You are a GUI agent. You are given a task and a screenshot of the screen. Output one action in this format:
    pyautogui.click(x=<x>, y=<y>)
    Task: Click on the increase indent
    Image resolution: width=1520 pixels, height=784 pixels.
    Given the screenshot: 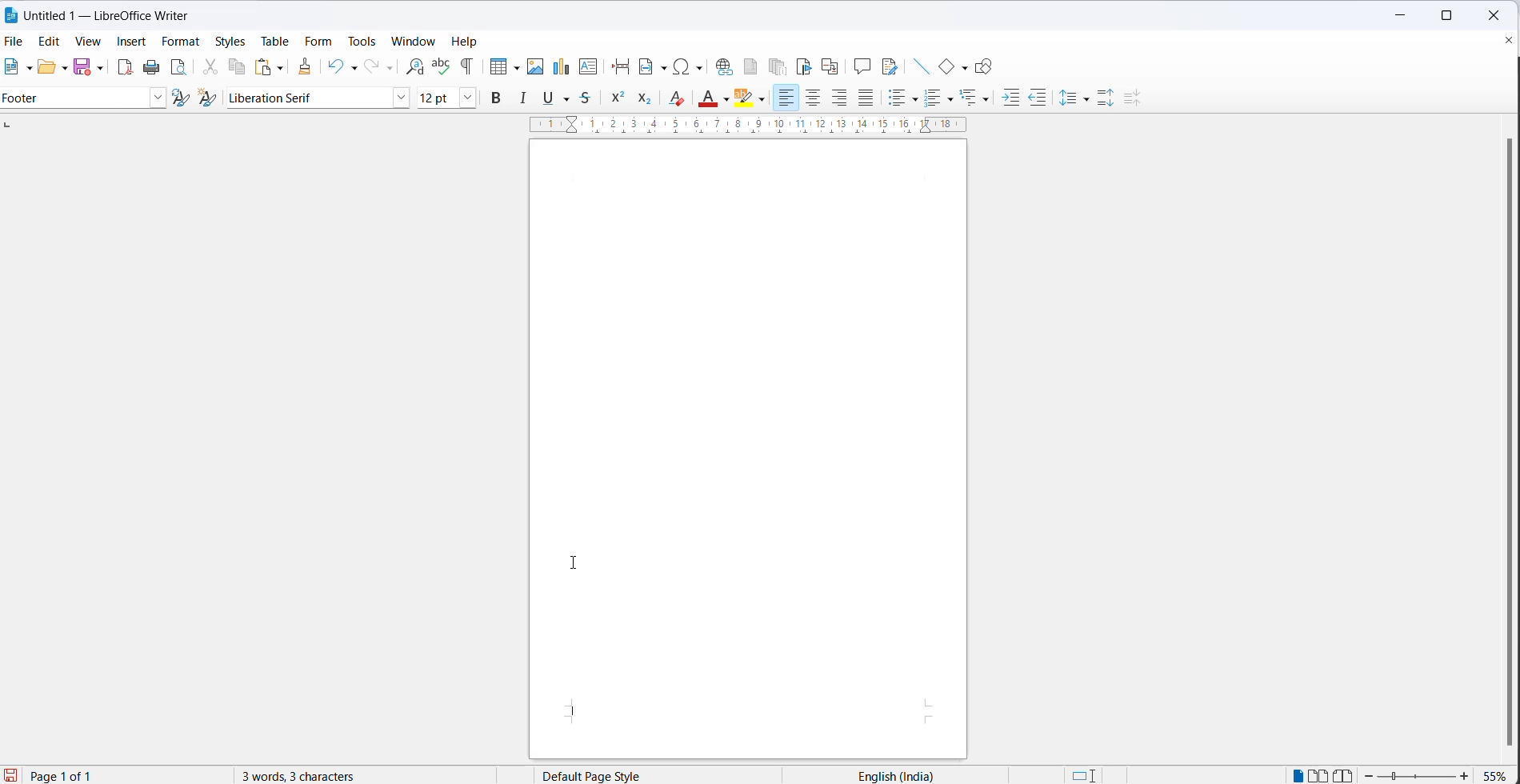 What is the action you would take?
    pyautogui.click(x=1010, y=98)
    